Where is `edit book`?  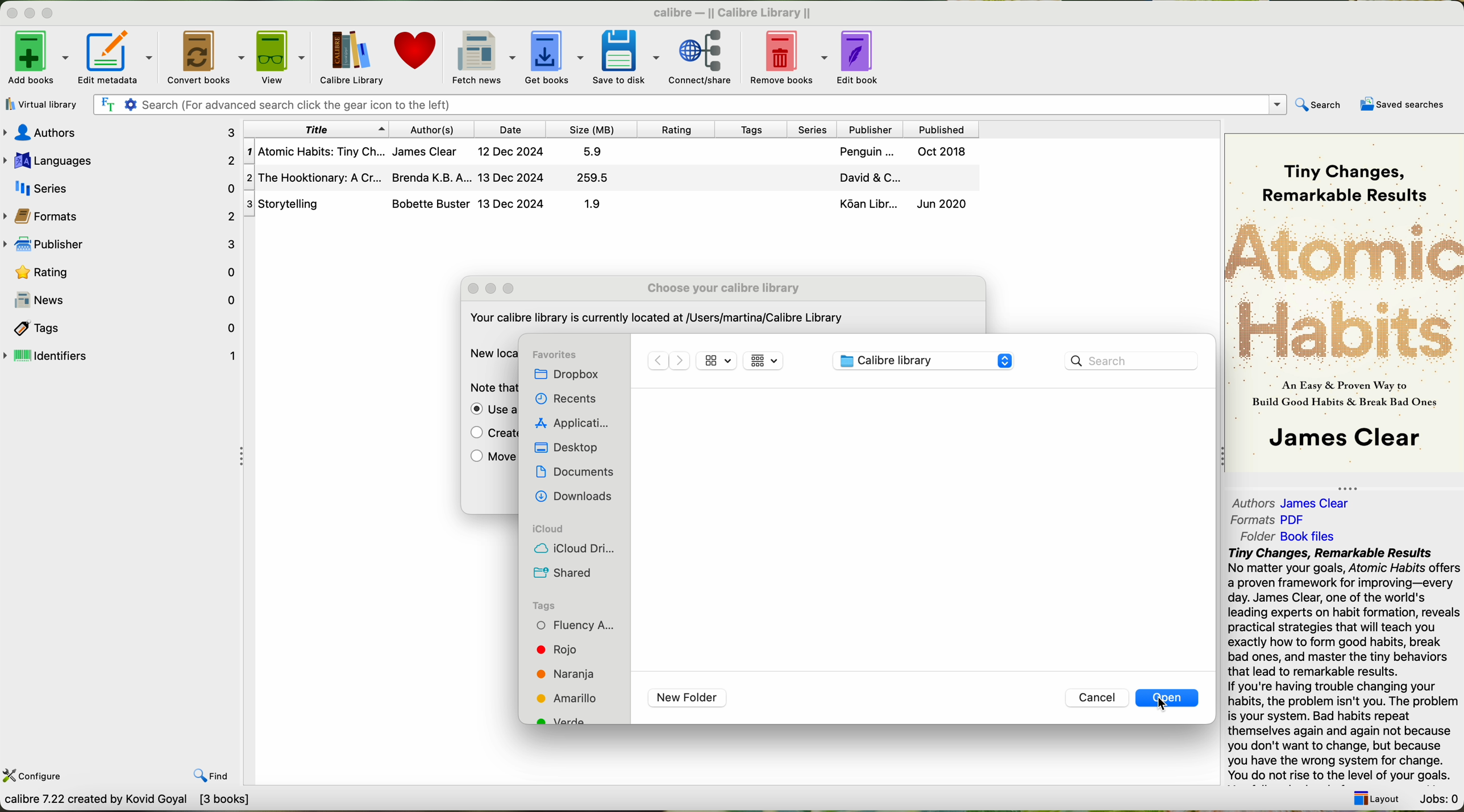
edit book is located at coordinates (863, 57).